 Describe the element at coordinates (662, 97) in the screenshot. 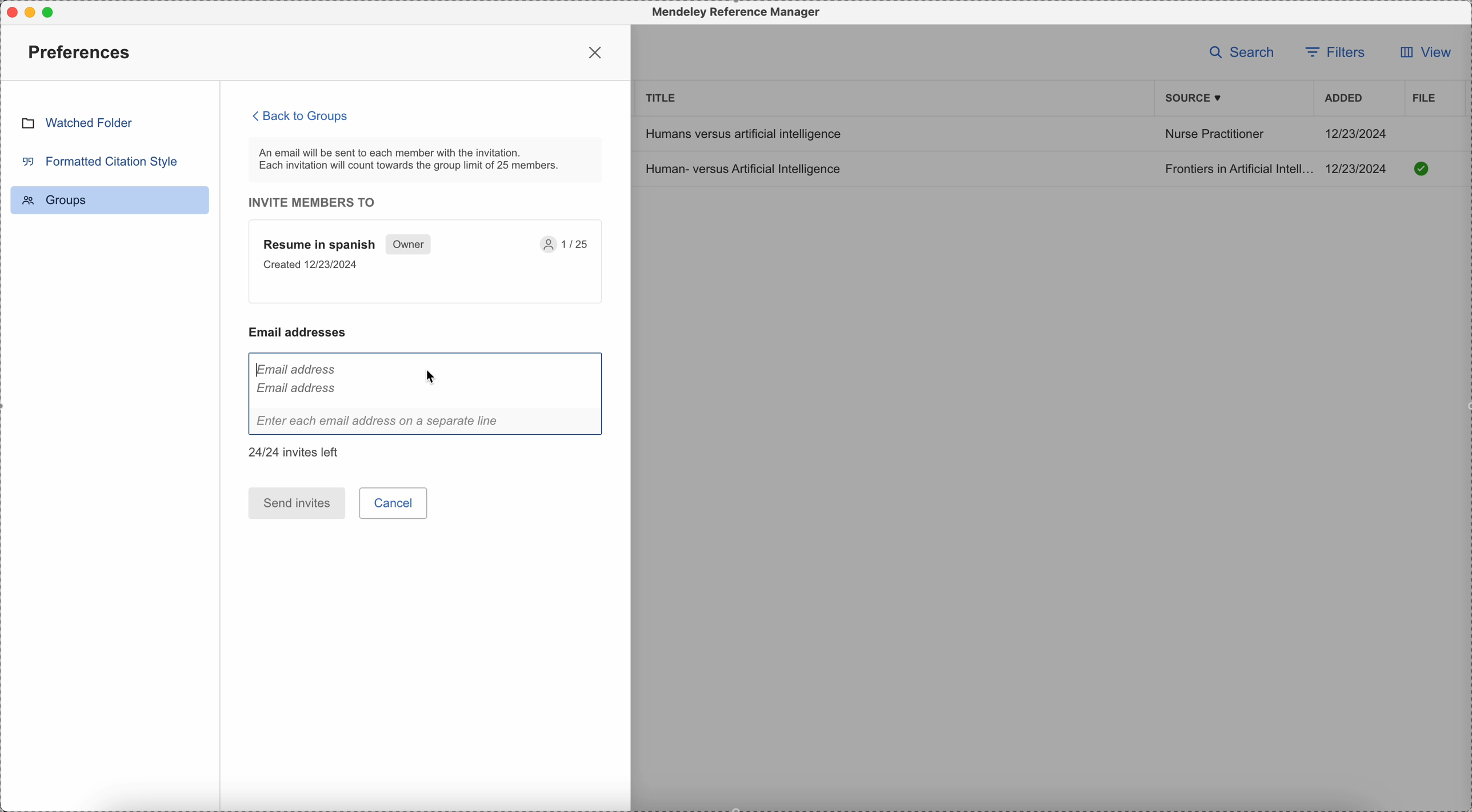

I see `title` at that location.